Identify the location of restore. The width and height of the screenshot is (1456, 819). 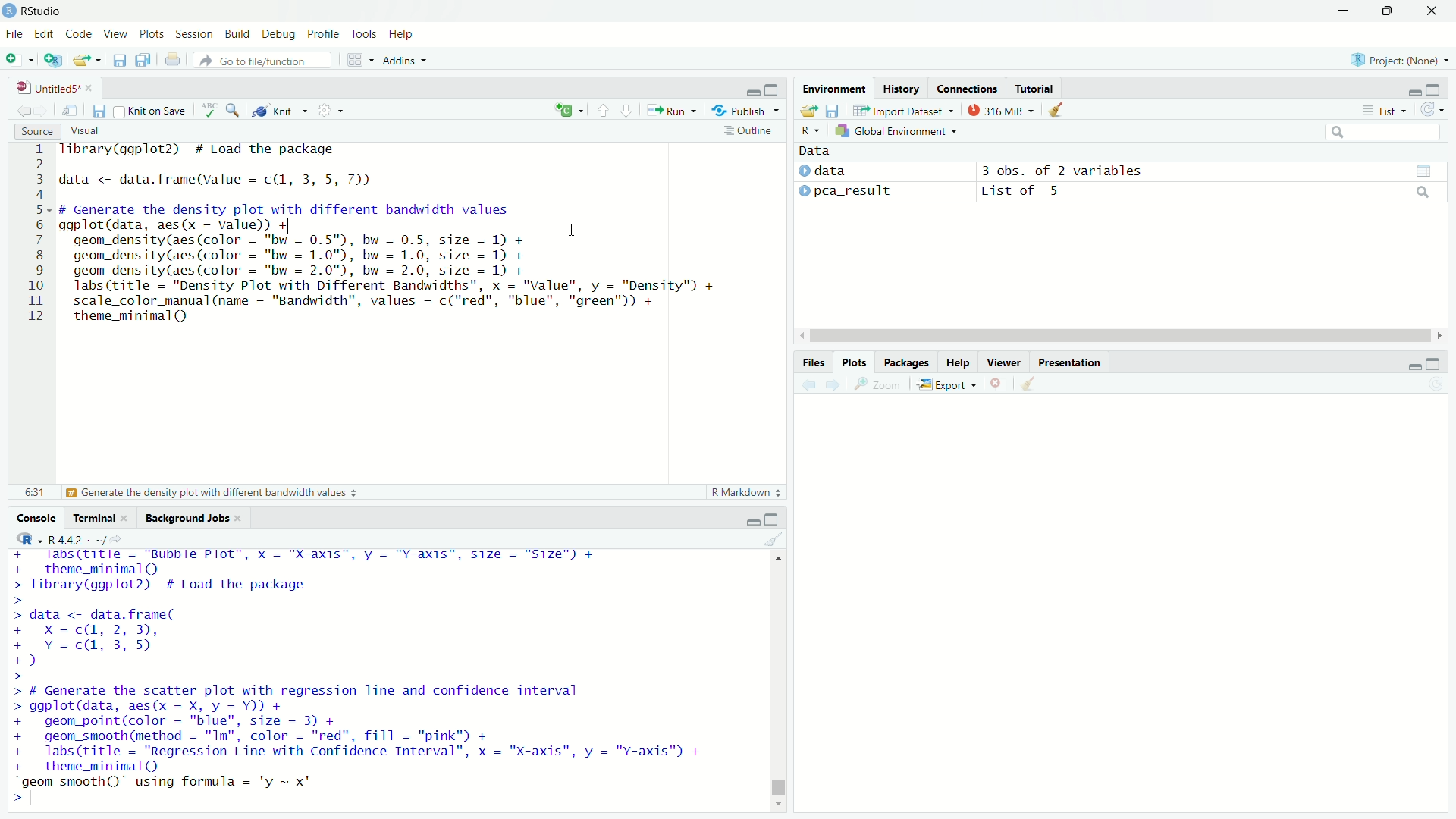
(1388, 11).